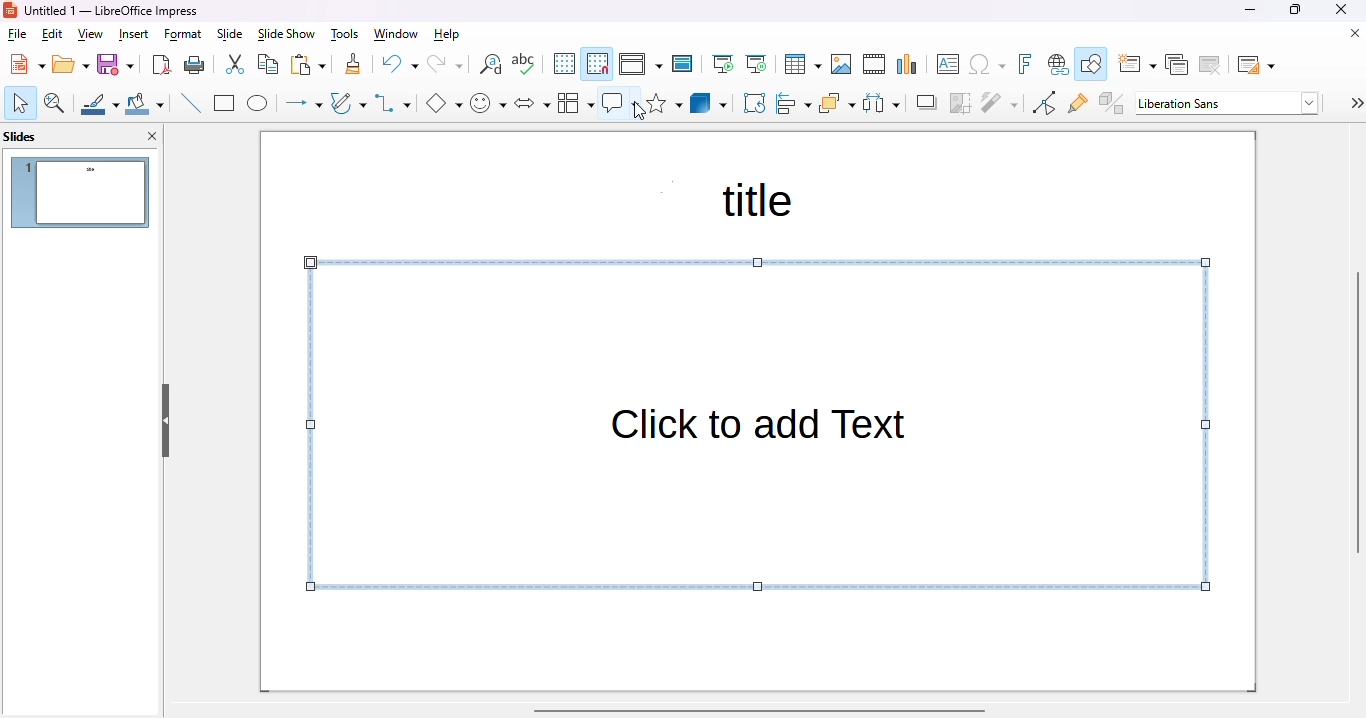 This screenshot has height=718, width=1366. Describe the element at coordinates (523, 63) in the screenshot. I see `check spelling` at that location.